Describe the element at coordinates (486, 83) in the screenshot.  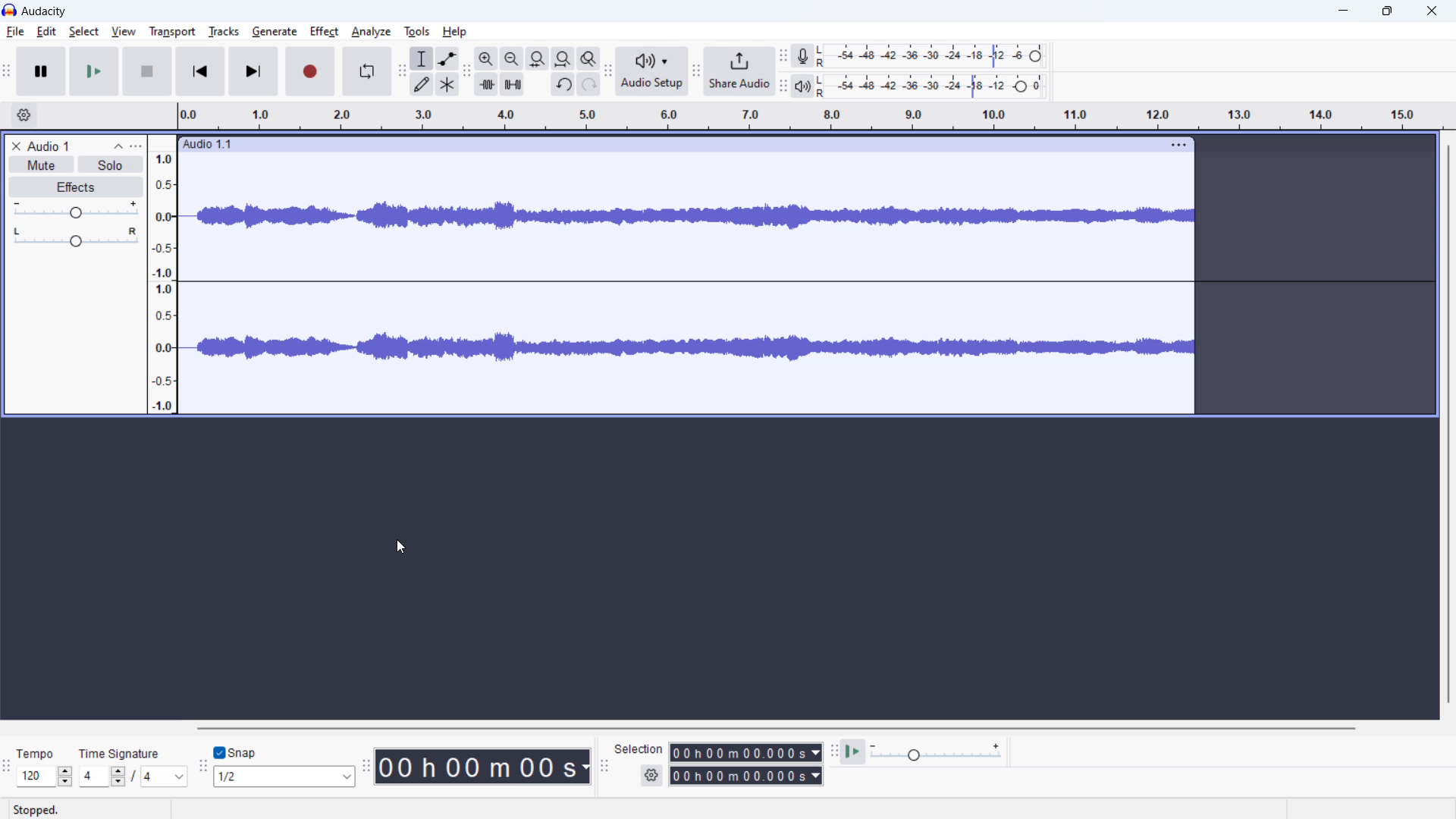
I see `trim audio outside selection` at that location.